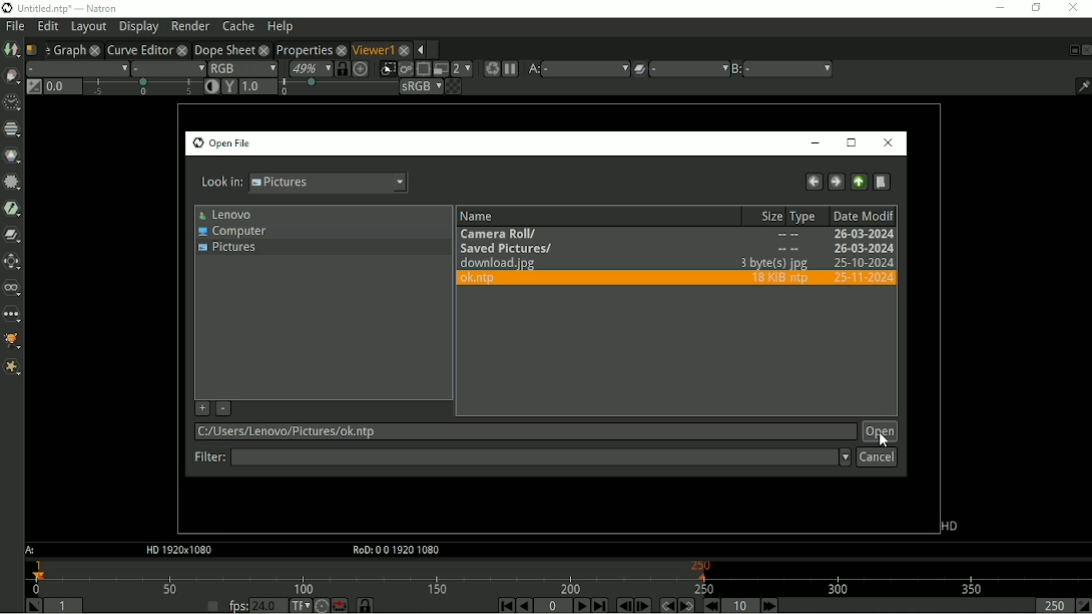  What do you see at coordinates (190, 25) in the screenshot?
I see `Render` at bounding box center [190, 25].